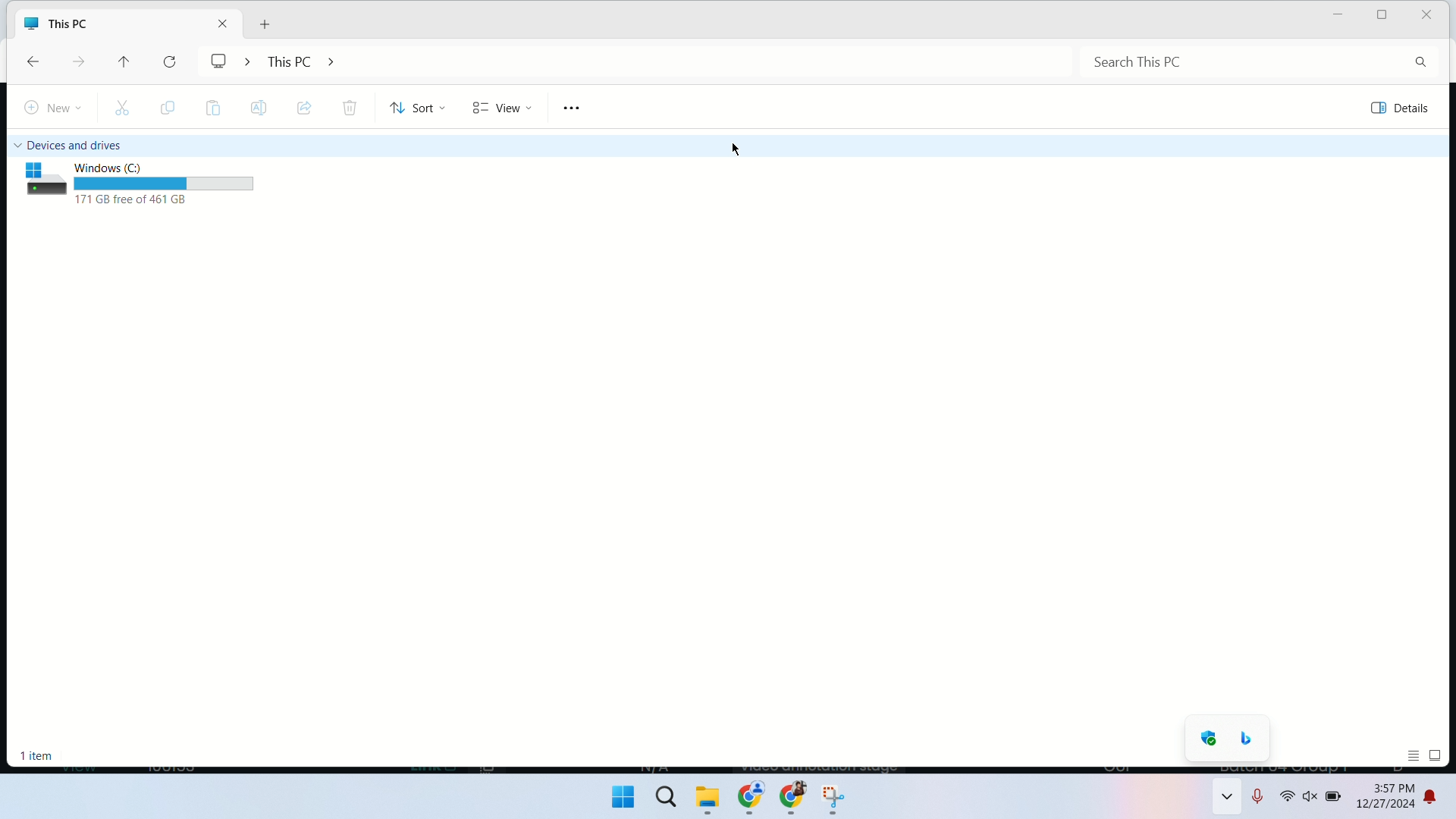 This screenshot has height=819, width=1456. Describe the element at coordinates (1261, 800) in the screenshot. I see `microphone` at that location.